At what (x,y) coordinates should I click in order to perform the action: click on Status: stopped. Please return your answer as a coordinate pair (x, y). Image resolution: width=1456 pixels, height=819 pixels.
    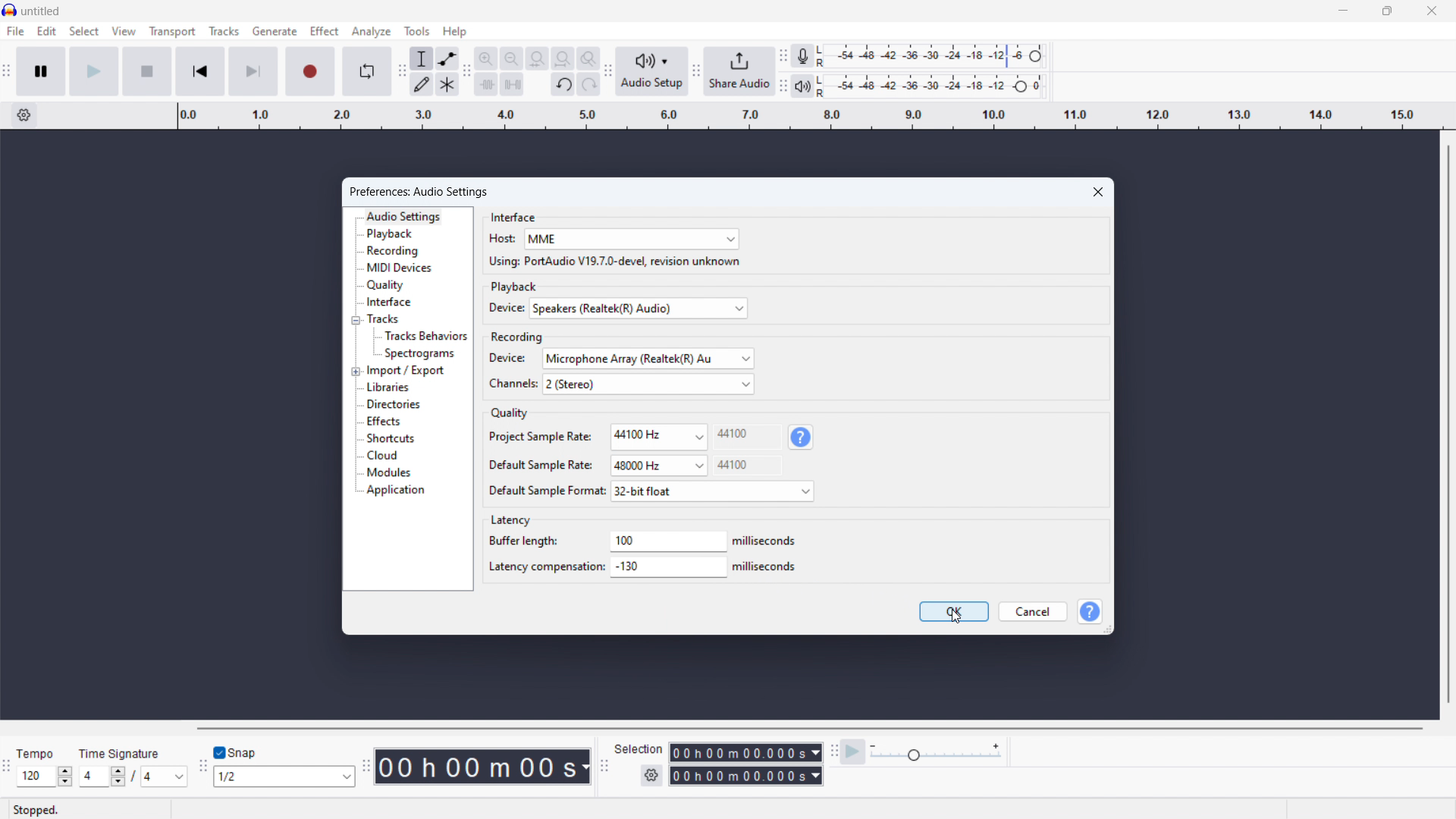
    Looking at the image, I should click on (38, 809).